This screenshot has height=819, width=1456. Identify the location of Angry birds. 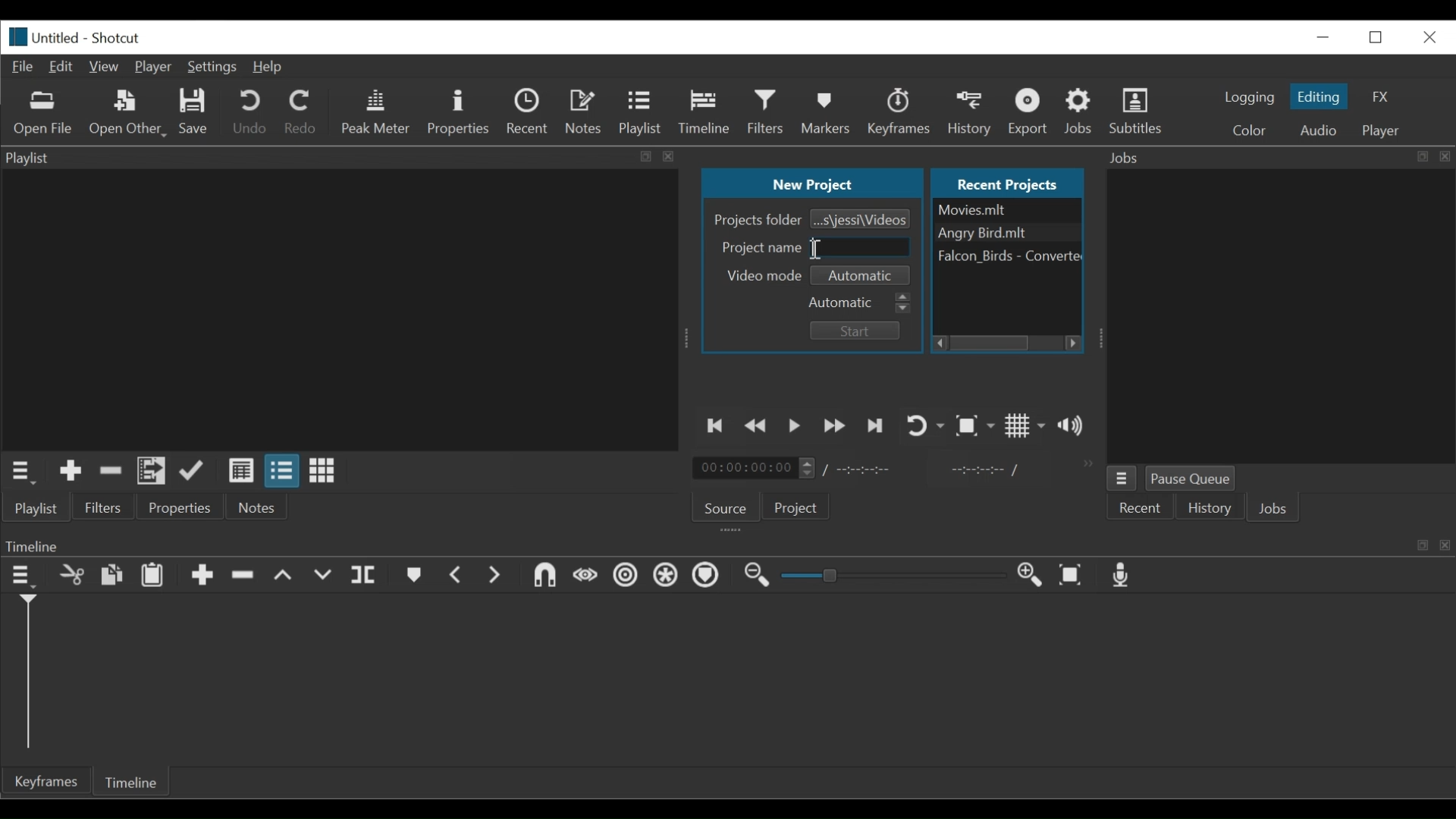
(1007, 234).